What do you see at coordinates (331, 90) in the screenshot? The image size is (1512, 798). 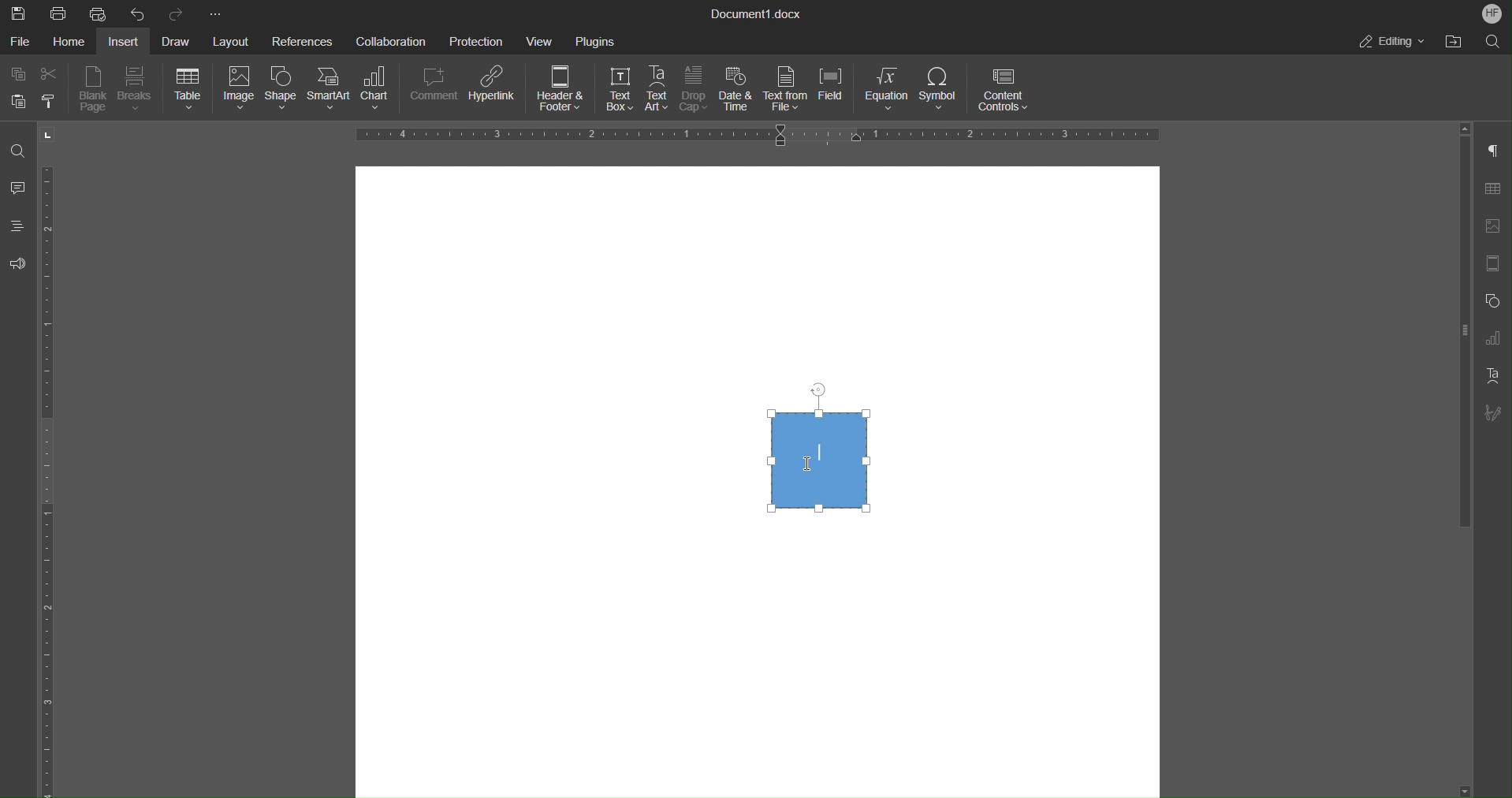 I see `SmartArt` at bounding box center [331, 90].